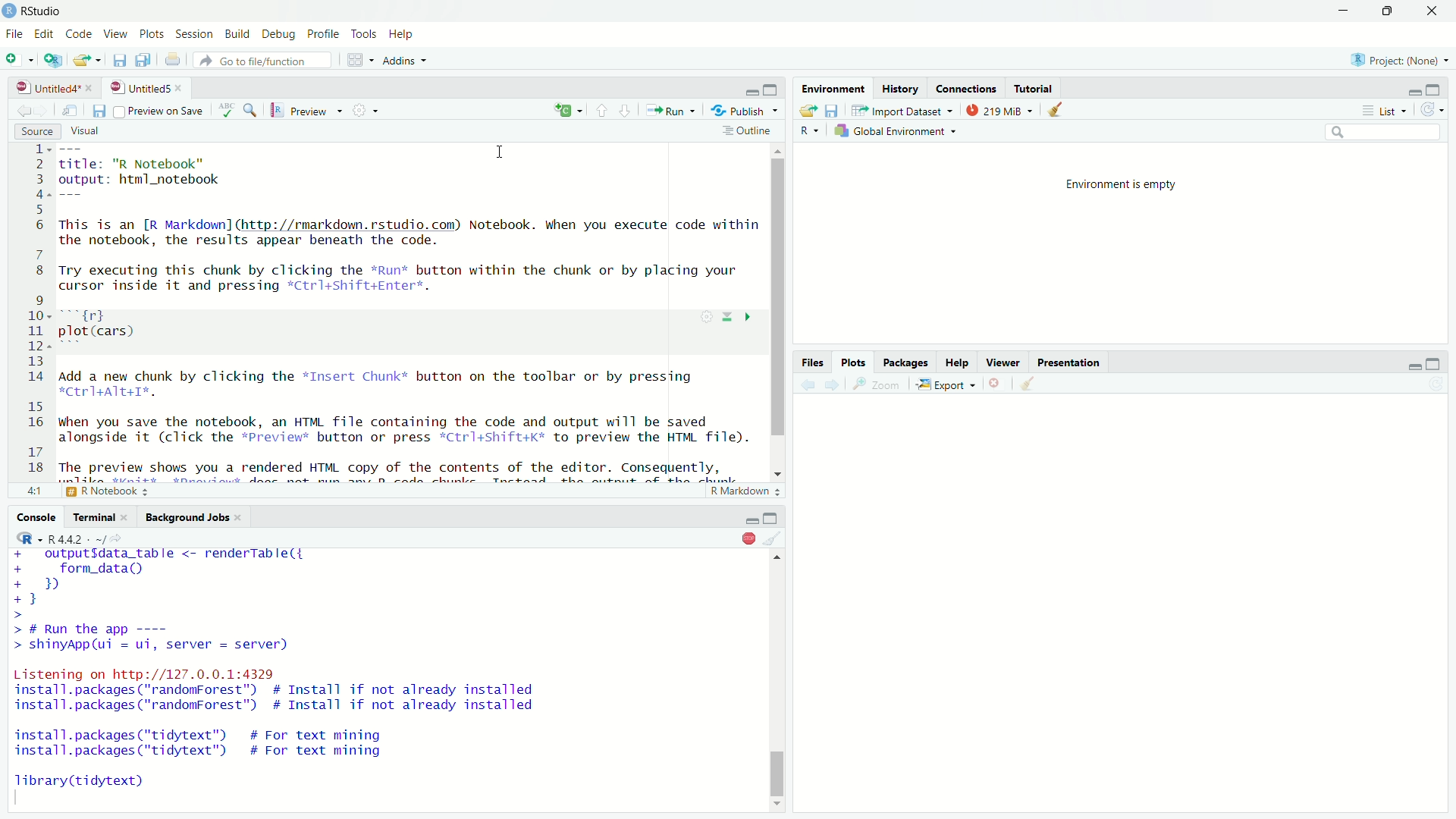 This screenshot has height=819, width=1456. Describe the element at coordinates (53, 60) in the screenshot. I see `Create a project` at that location.